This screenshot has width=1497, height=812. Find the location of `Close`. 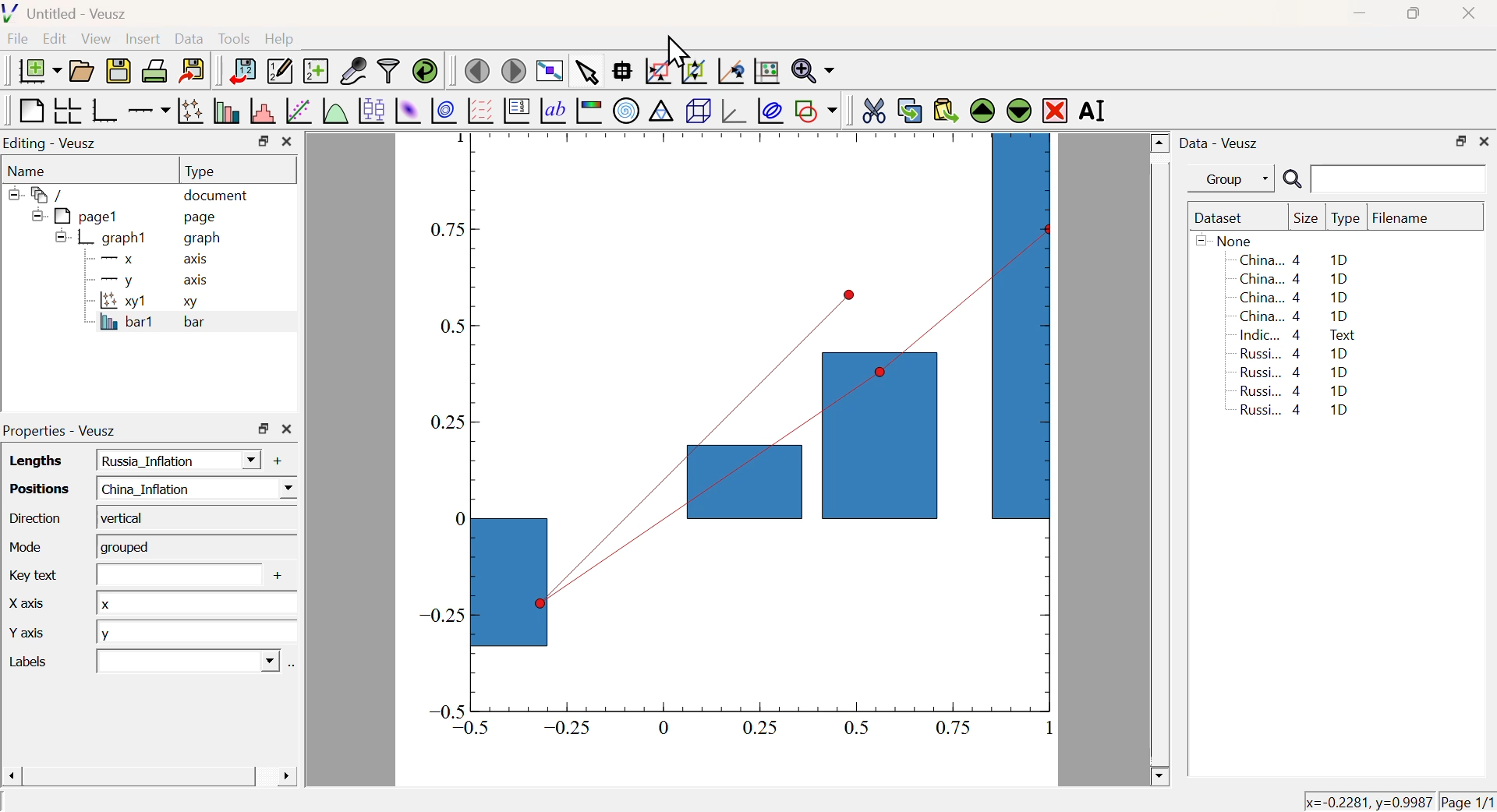

Close is located at coordinates (1485, 139).